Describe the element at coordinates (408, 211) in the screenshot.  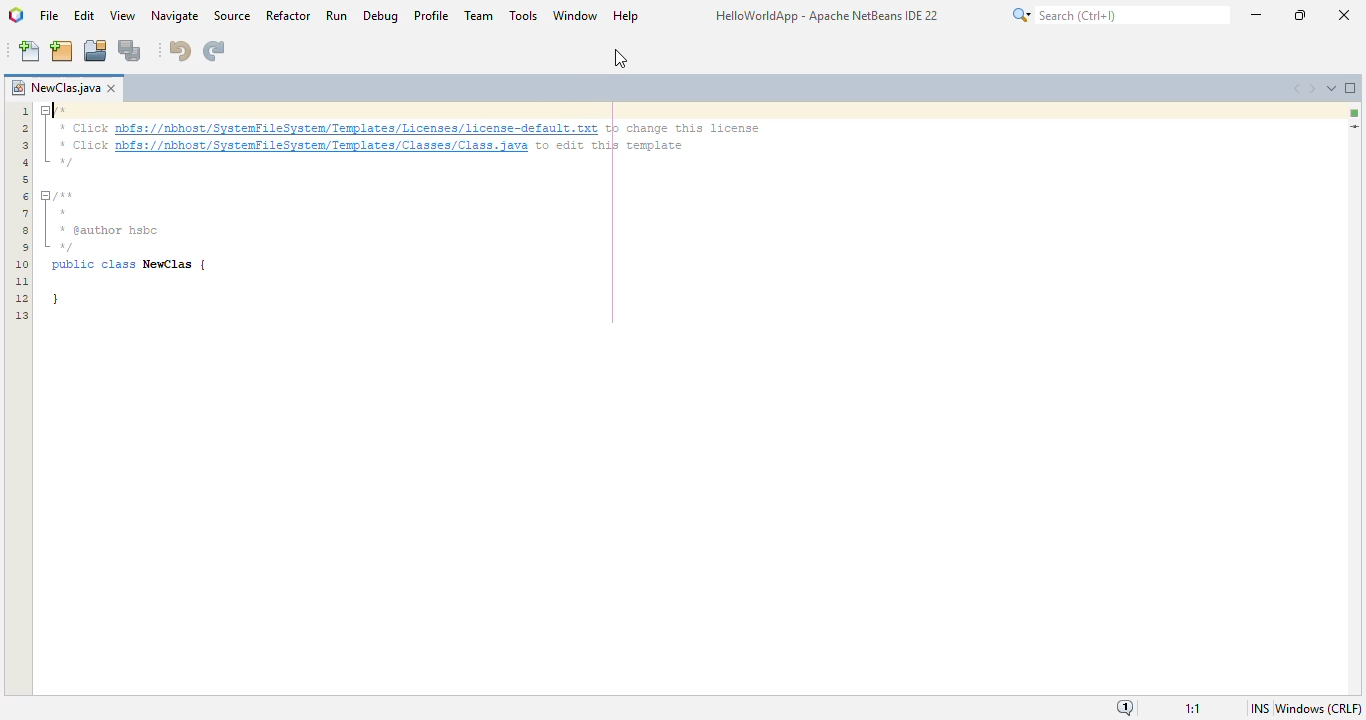
I see `/*
+ Click nbfs://nbhost/SystenFileSysten/Templates/Licenses/license-default txt to change this license
+ Click pbfs://nbhost/SystenfileSysten/Templates/Classes/Class. java to edit this template
“0

fun
* pauthor hsbc
“0

public class NewClas |
}` at that location.